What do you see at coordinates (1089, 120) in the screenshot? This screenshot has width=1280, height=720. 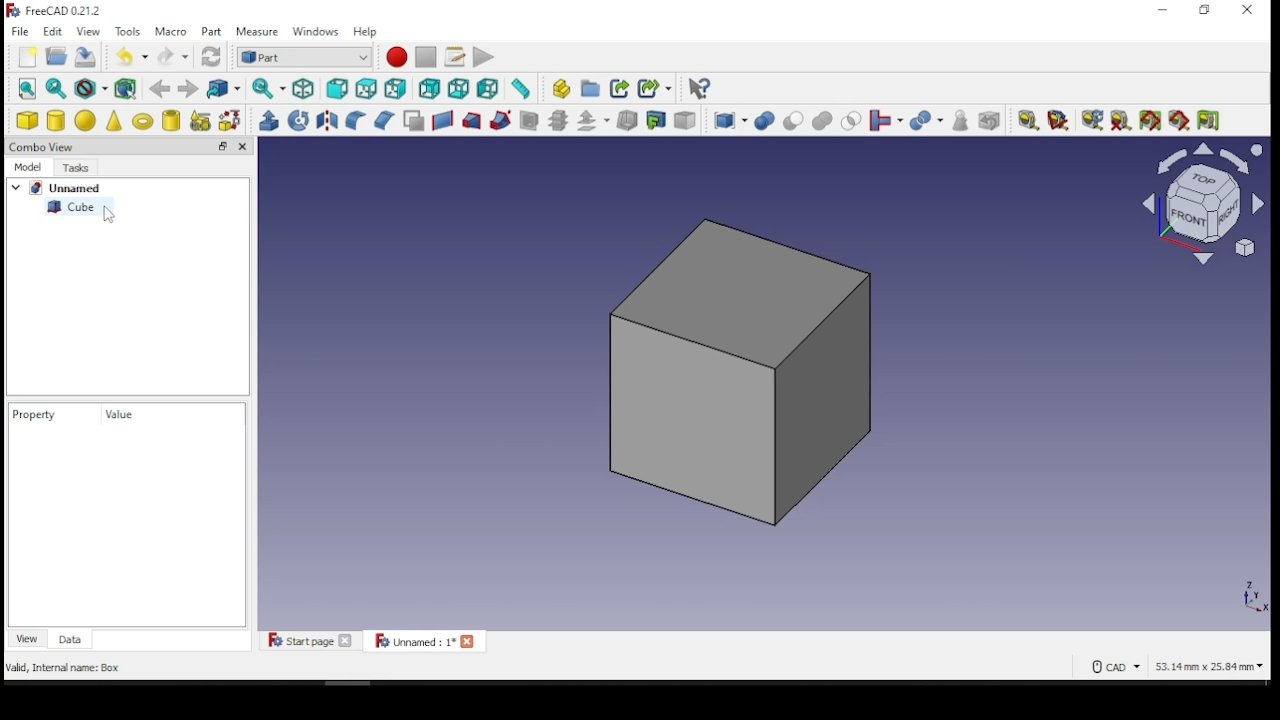 I see `refresh` at bounding box center [1089, 120].